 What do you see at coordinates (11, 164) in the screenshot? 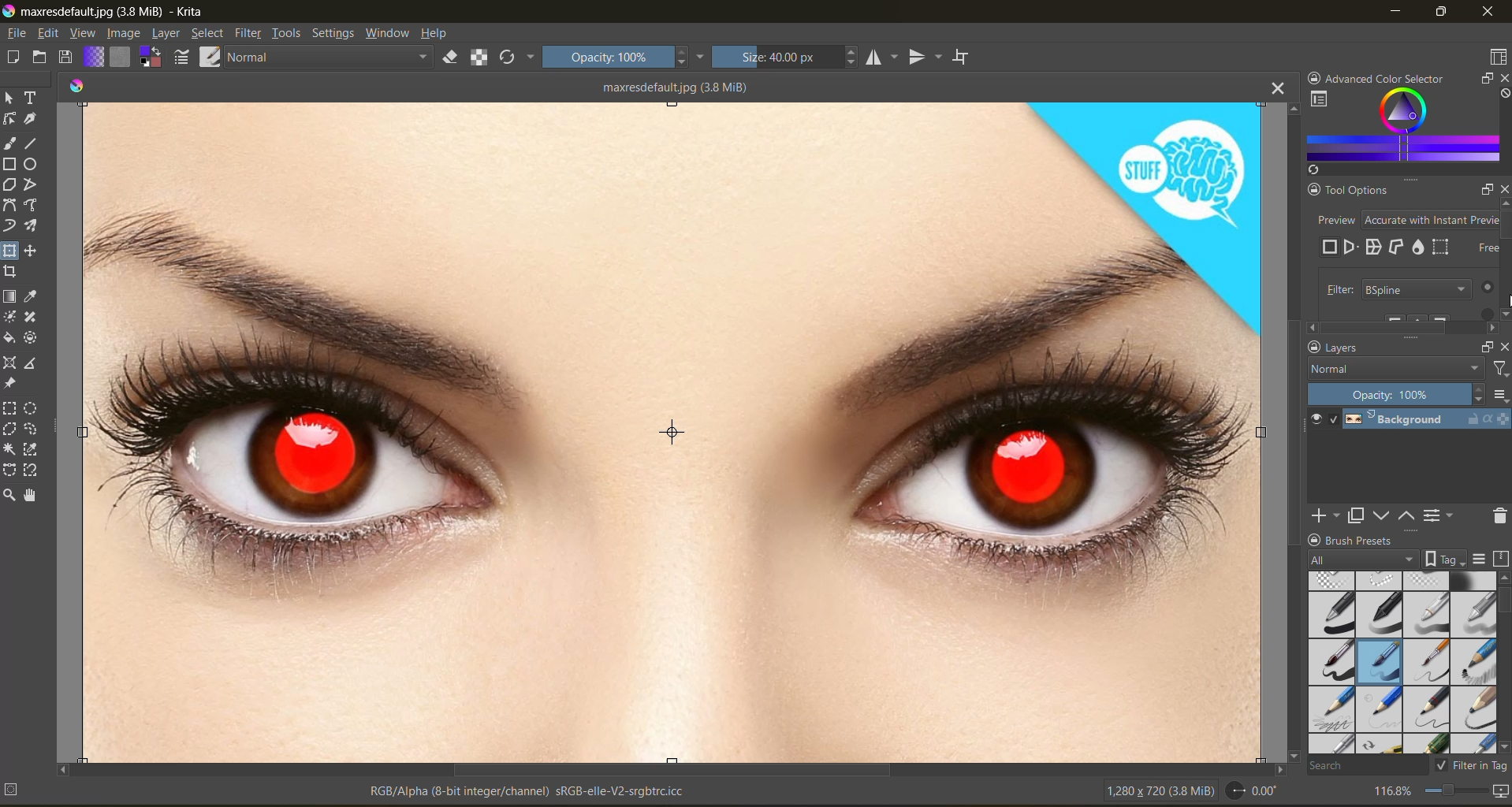
I see `tool` at bounding box center [11, 164].